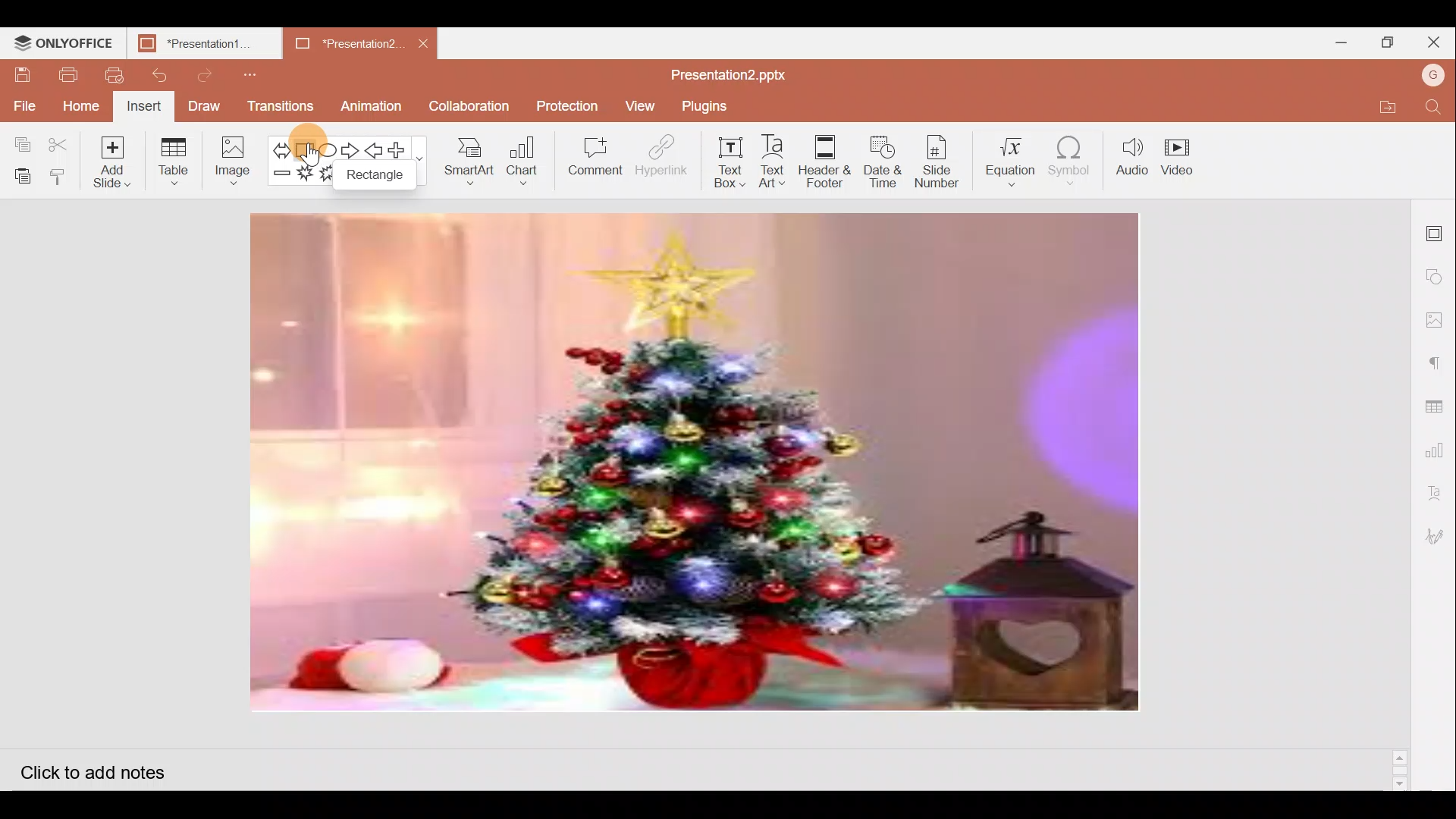 This screenshot has width=1456, height=819. Describe the element at coordinates (1397, 106) in the screenshot. I see `Open file location` at that location.